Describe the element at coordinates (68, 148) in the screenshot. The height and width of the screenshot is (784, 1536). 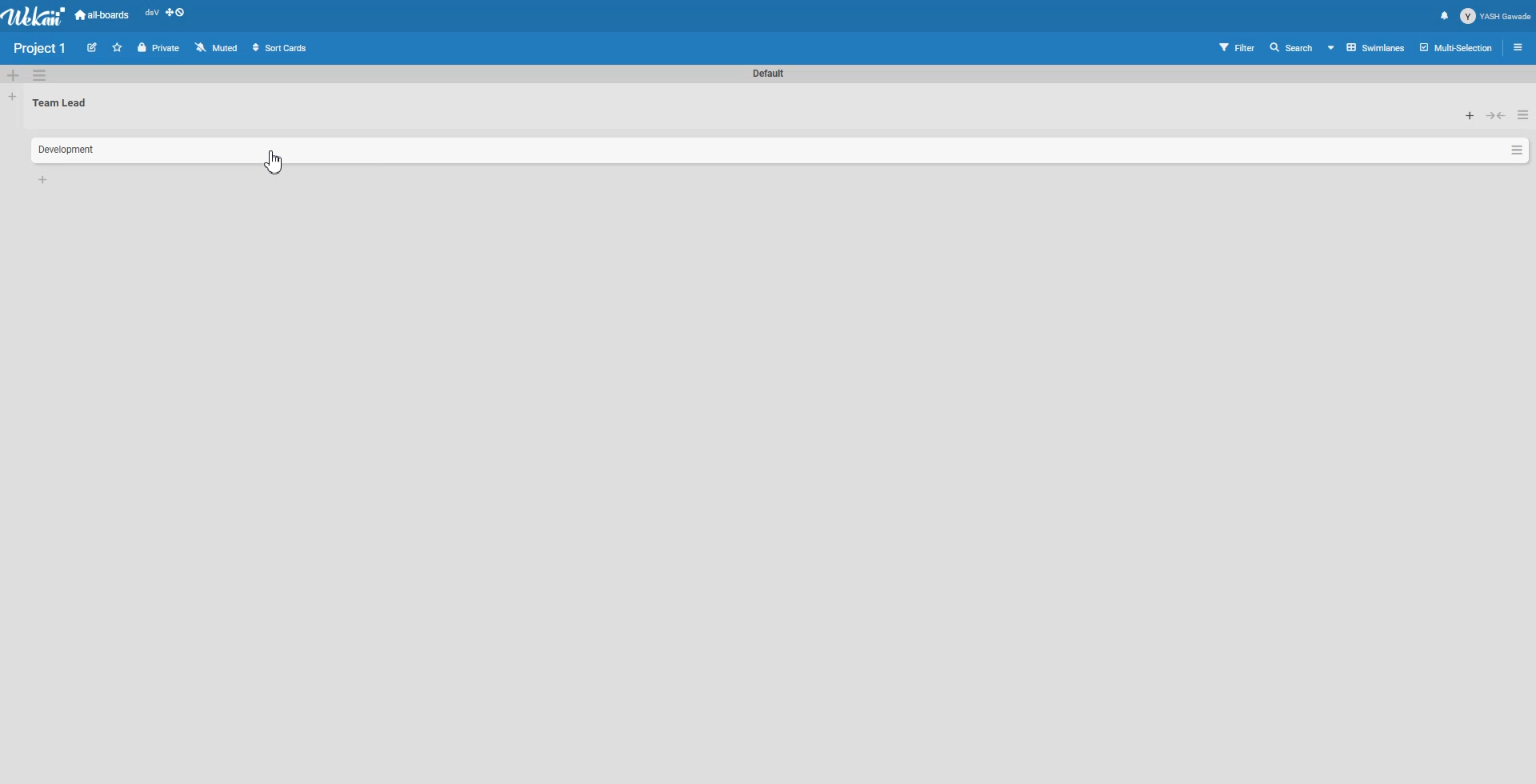
I see `Text` at that location.